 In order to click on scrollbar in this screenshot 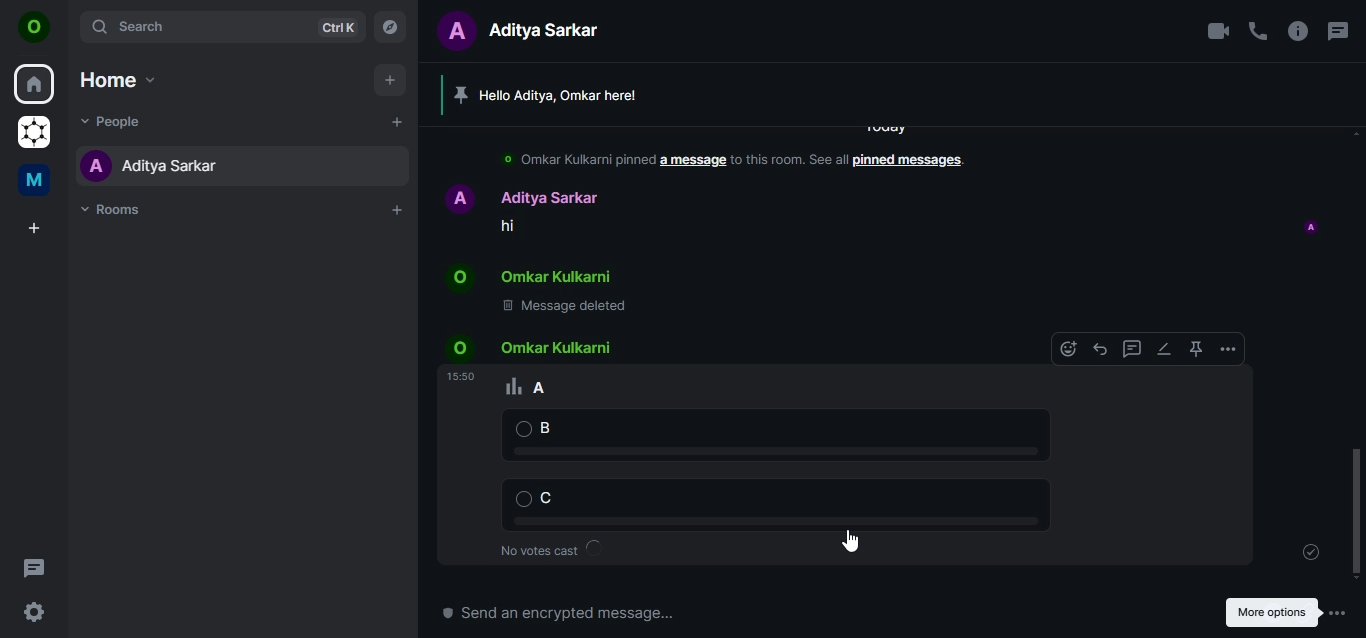, I will do `click(1357, 508)`.